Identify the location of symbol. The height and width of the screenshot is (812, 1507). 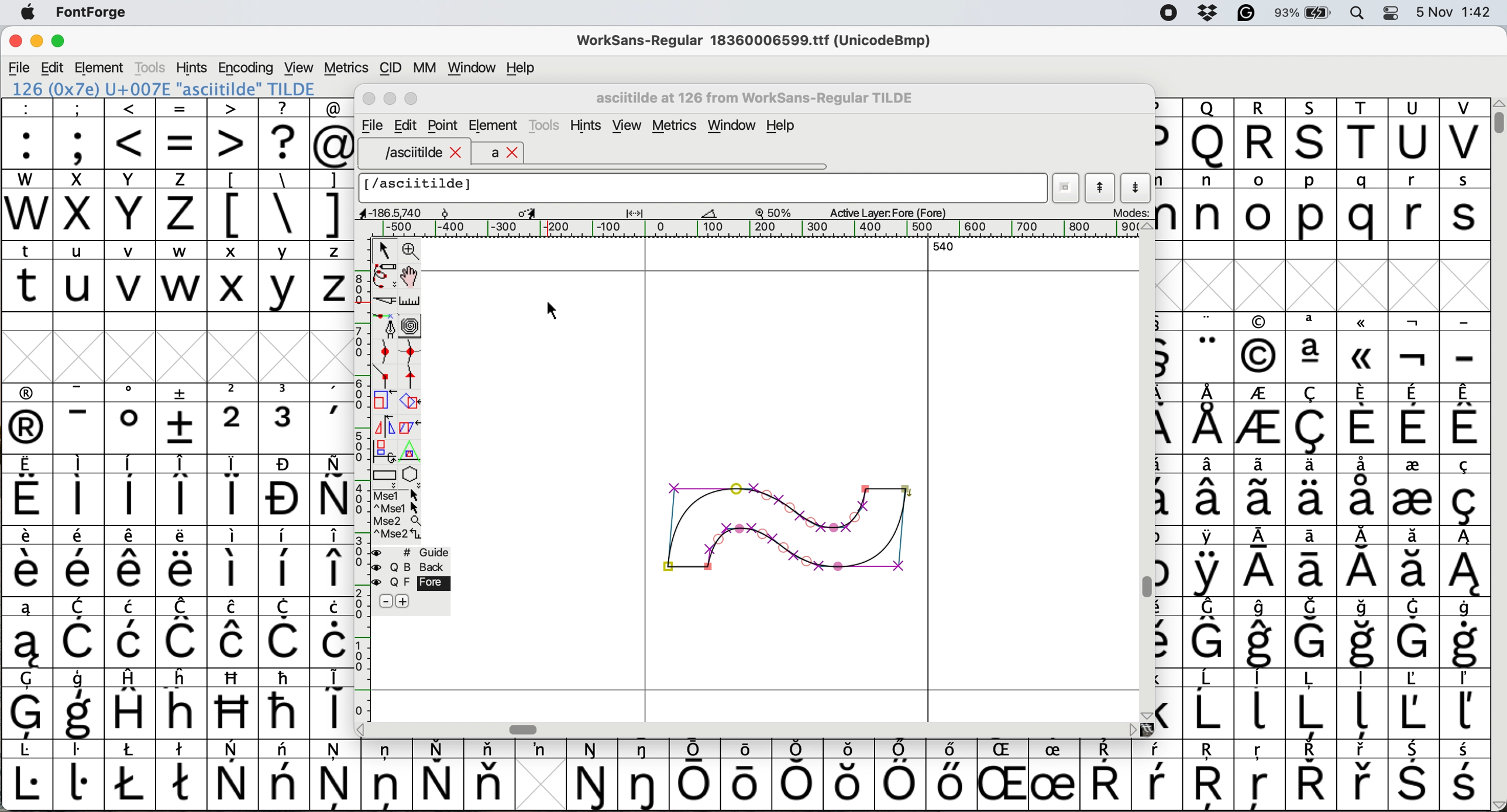
(1310, 703).